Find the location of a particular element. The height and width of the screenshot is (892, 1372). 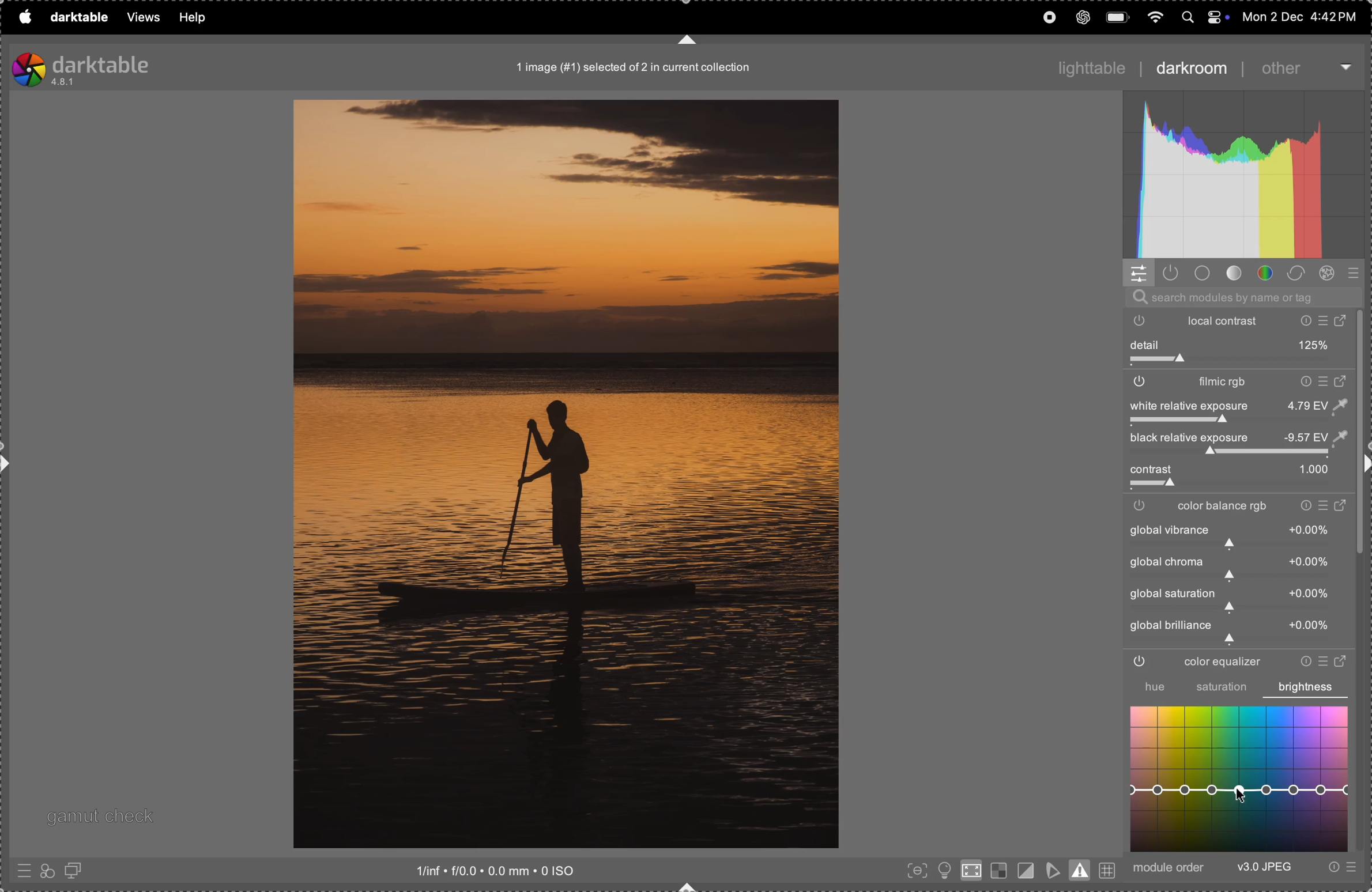

current image position is located at coordinates (636, 69).